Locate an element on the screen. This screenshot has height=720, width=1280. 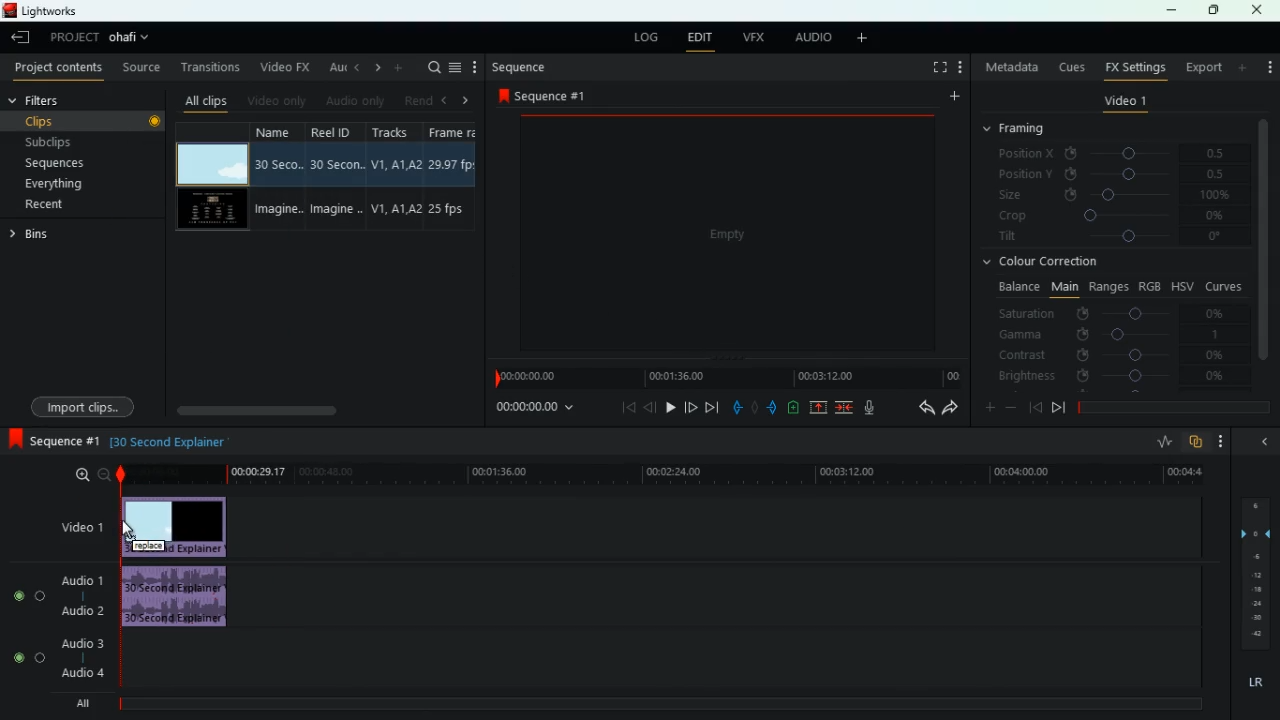
position x is located at coordinates (1122, 154).